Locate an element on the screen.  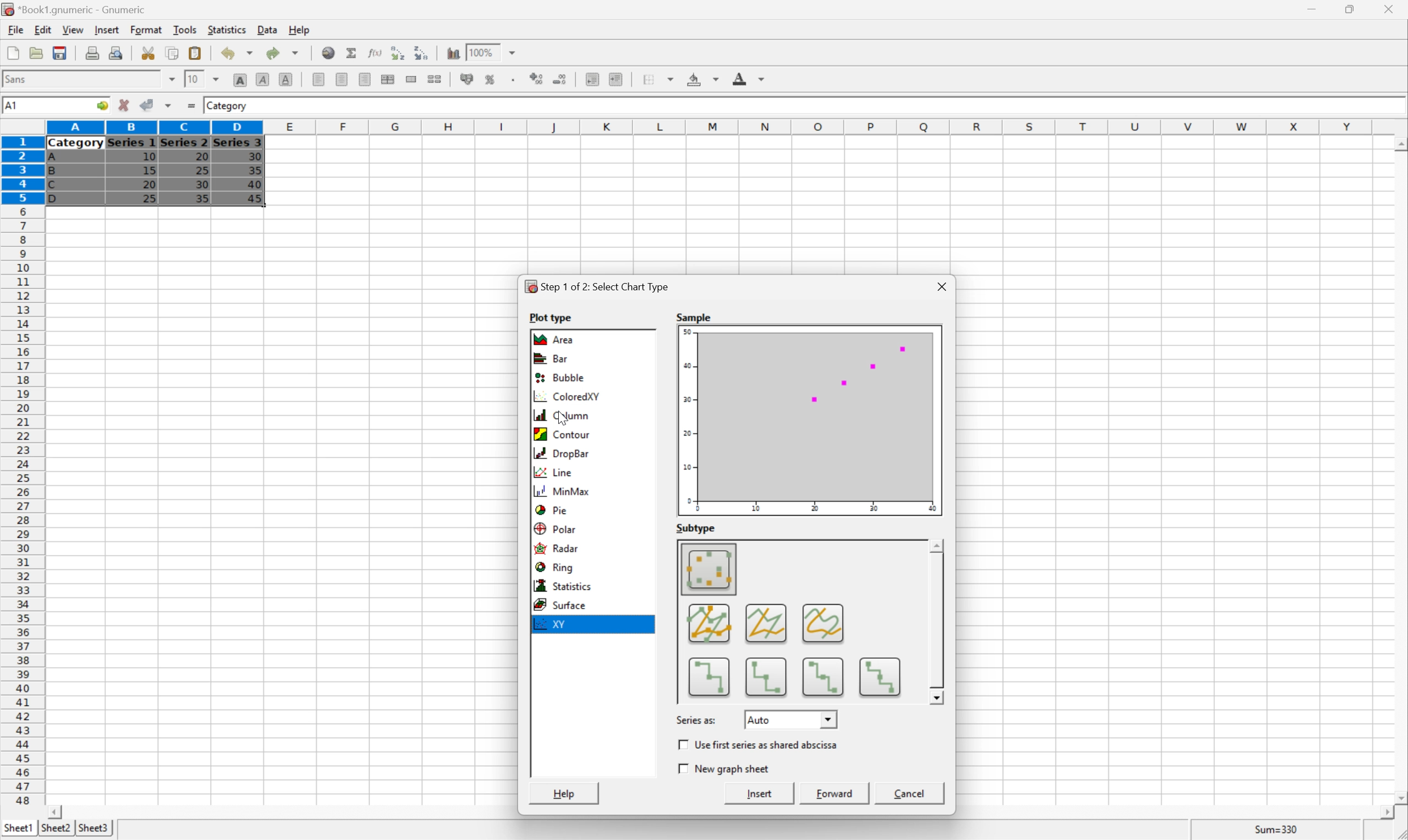
Series as: is located at coordinates (696, 719).